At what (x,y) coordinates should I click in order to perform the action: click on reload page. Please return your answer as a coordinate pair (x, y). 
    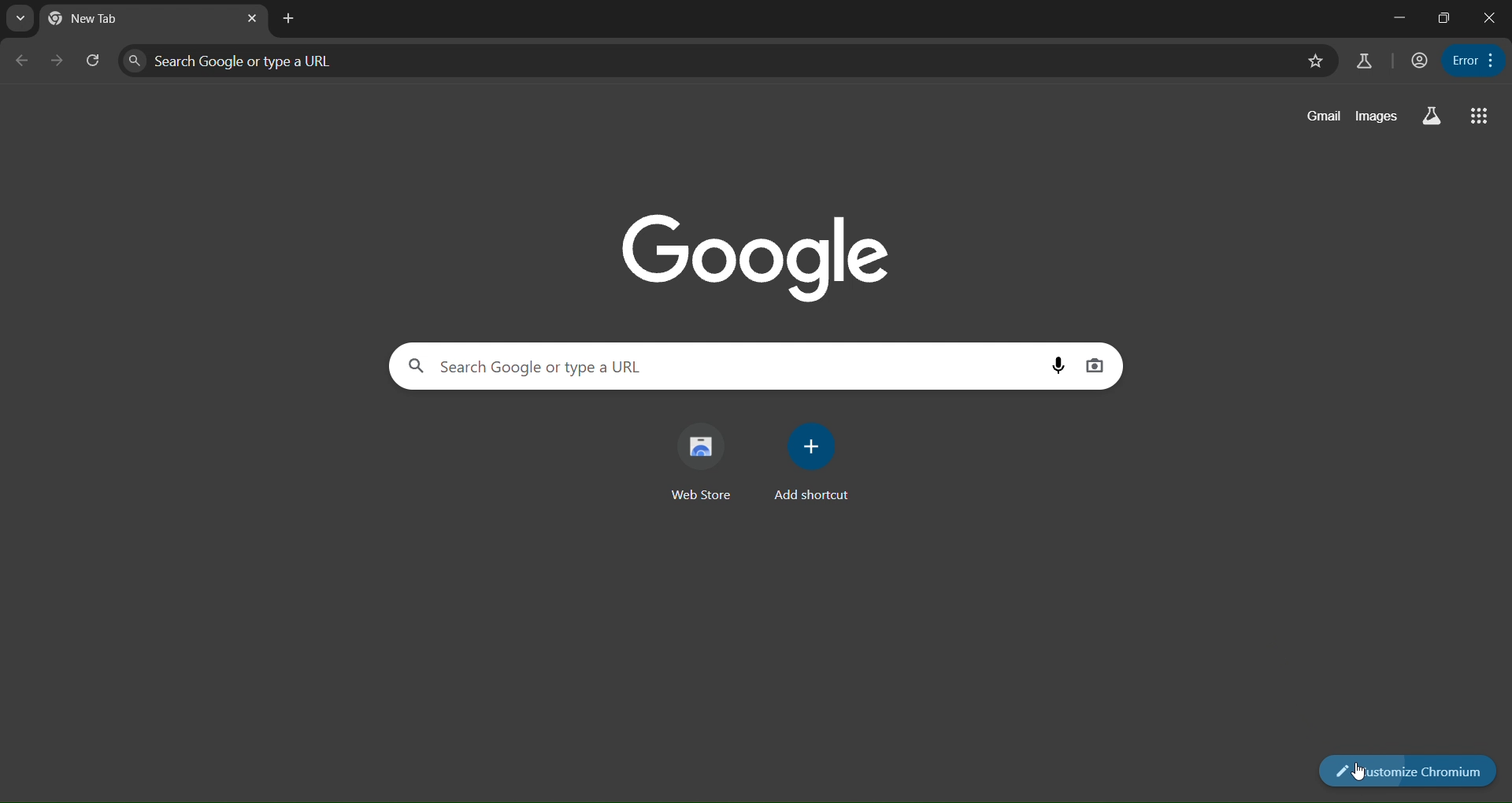
    Looking at the image, I should click on (93, 61).